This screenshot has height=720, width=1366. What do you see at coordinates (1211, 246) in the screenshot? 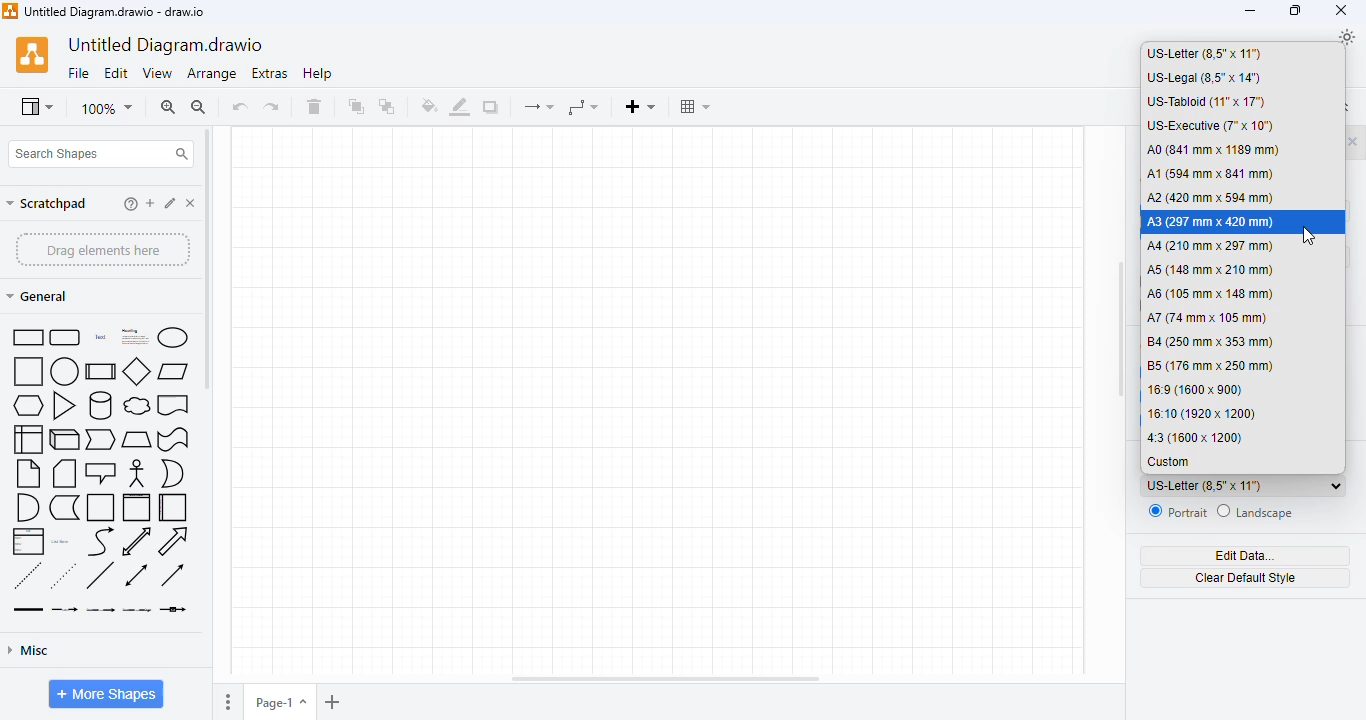
I see `A4` at bounding box center [1211, 246].